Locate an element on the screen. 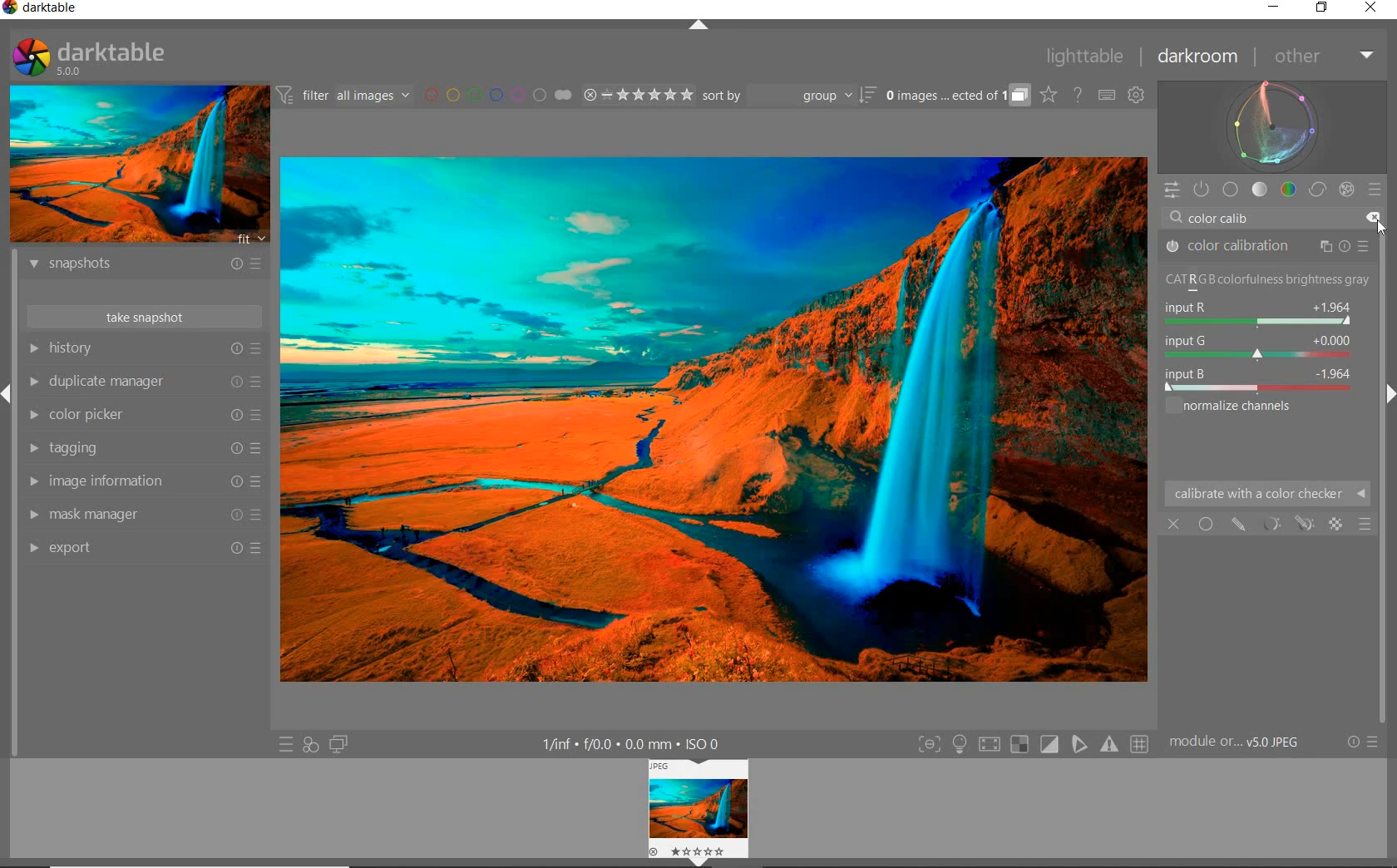 The width and height of the screenshot is (1397, 868). waveform is located at coordinates (1273, 126).